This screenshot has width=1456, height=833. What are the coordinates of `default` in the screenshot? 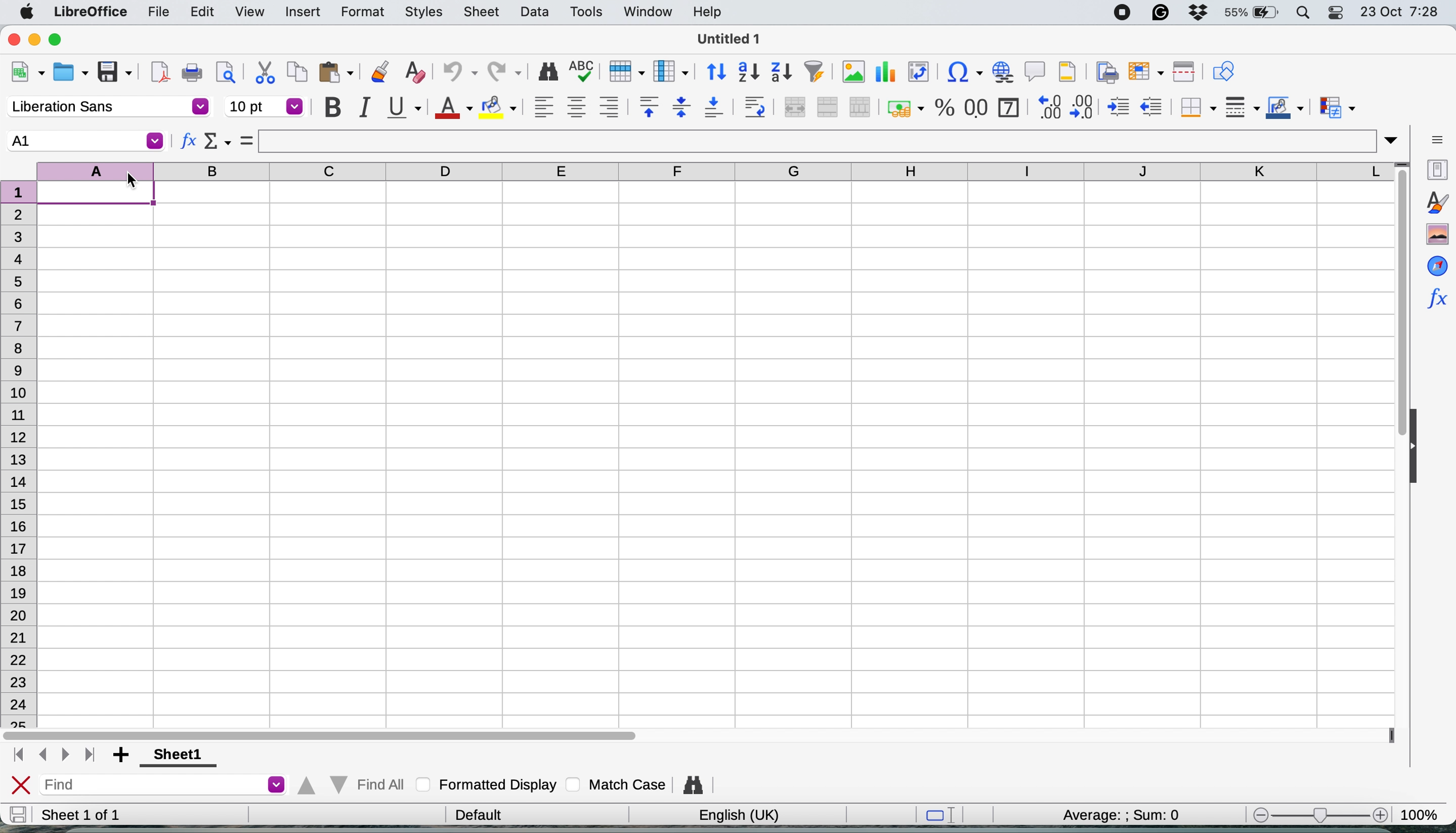 It's located at (476, 814).